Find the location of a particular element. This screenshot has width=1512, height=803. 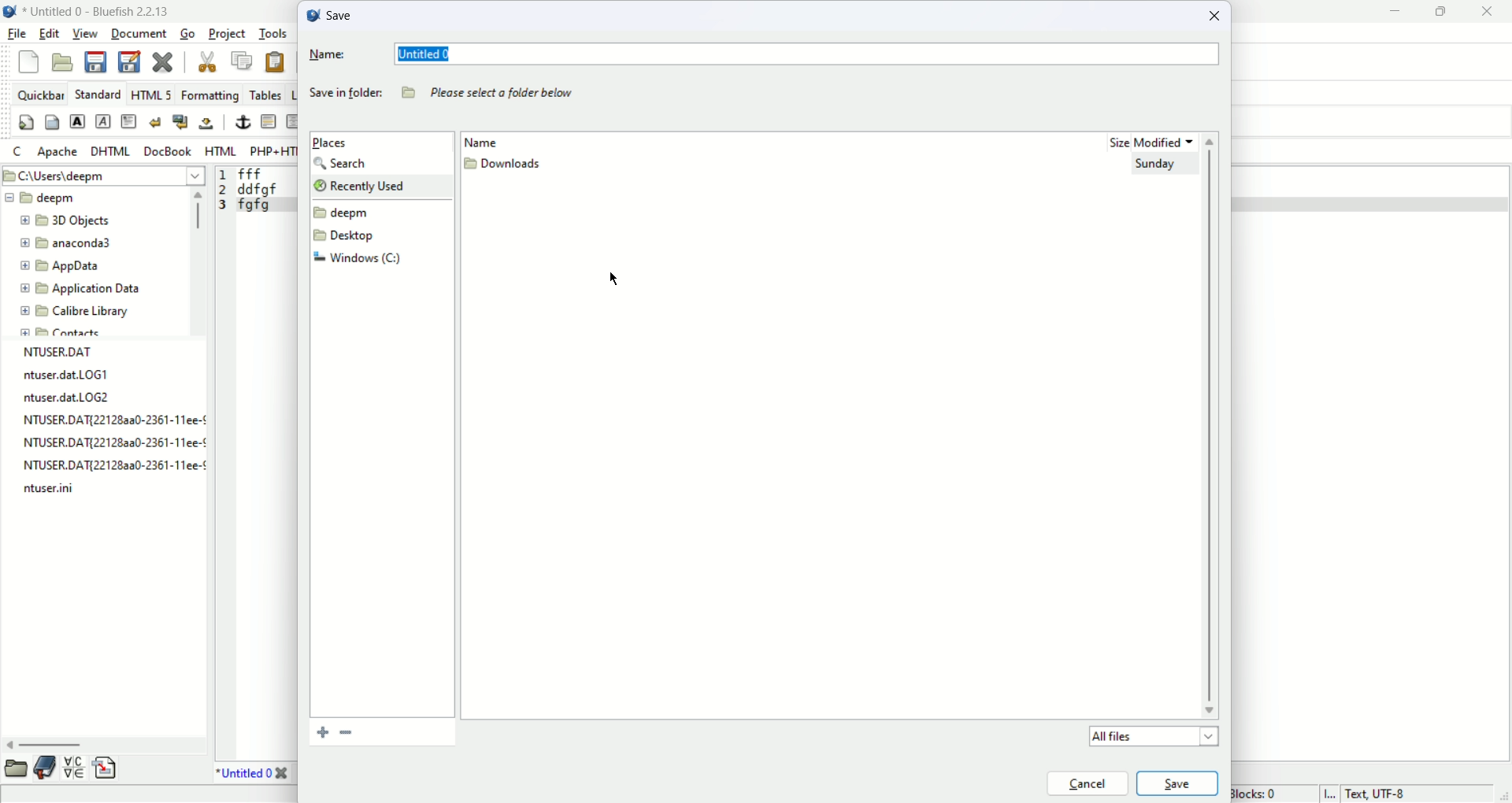

body is located at coordinates (51, 121).